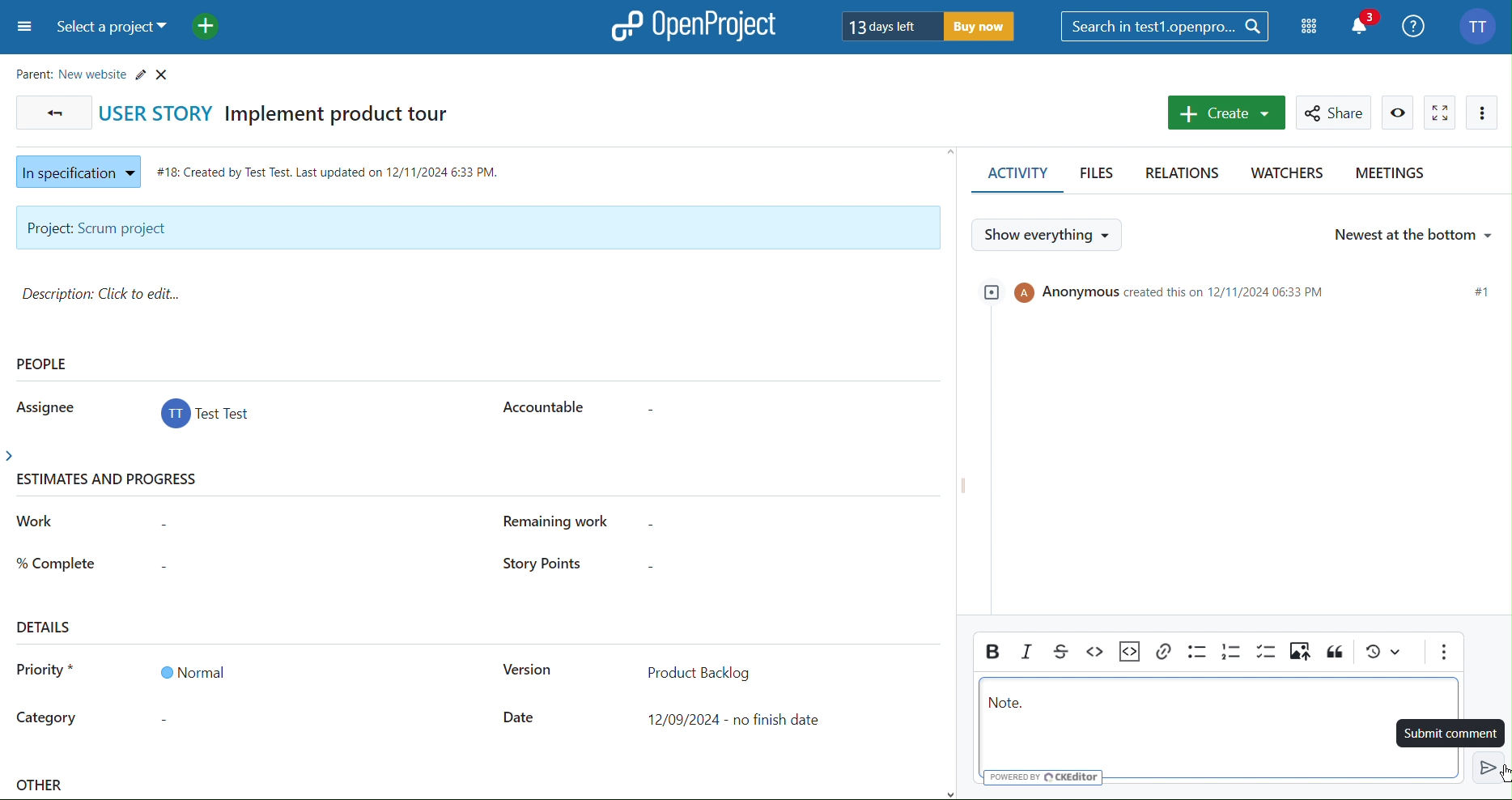 Image resolution: width=1512 pixels, height=800 pixels. Describe the element at coordinates (107, 294) in the screenshot. I see `Description` at that location.